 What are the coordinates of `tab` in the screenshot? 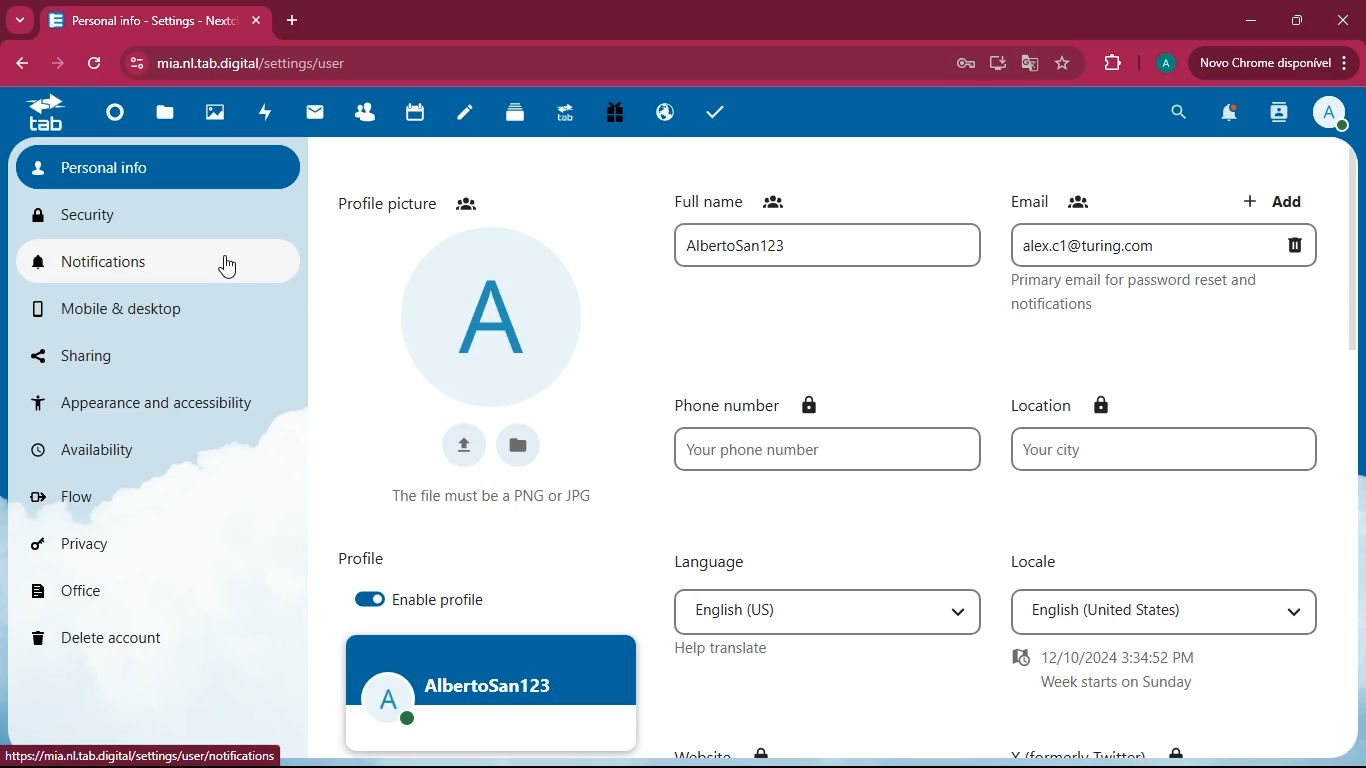 It's located at (153, 21).